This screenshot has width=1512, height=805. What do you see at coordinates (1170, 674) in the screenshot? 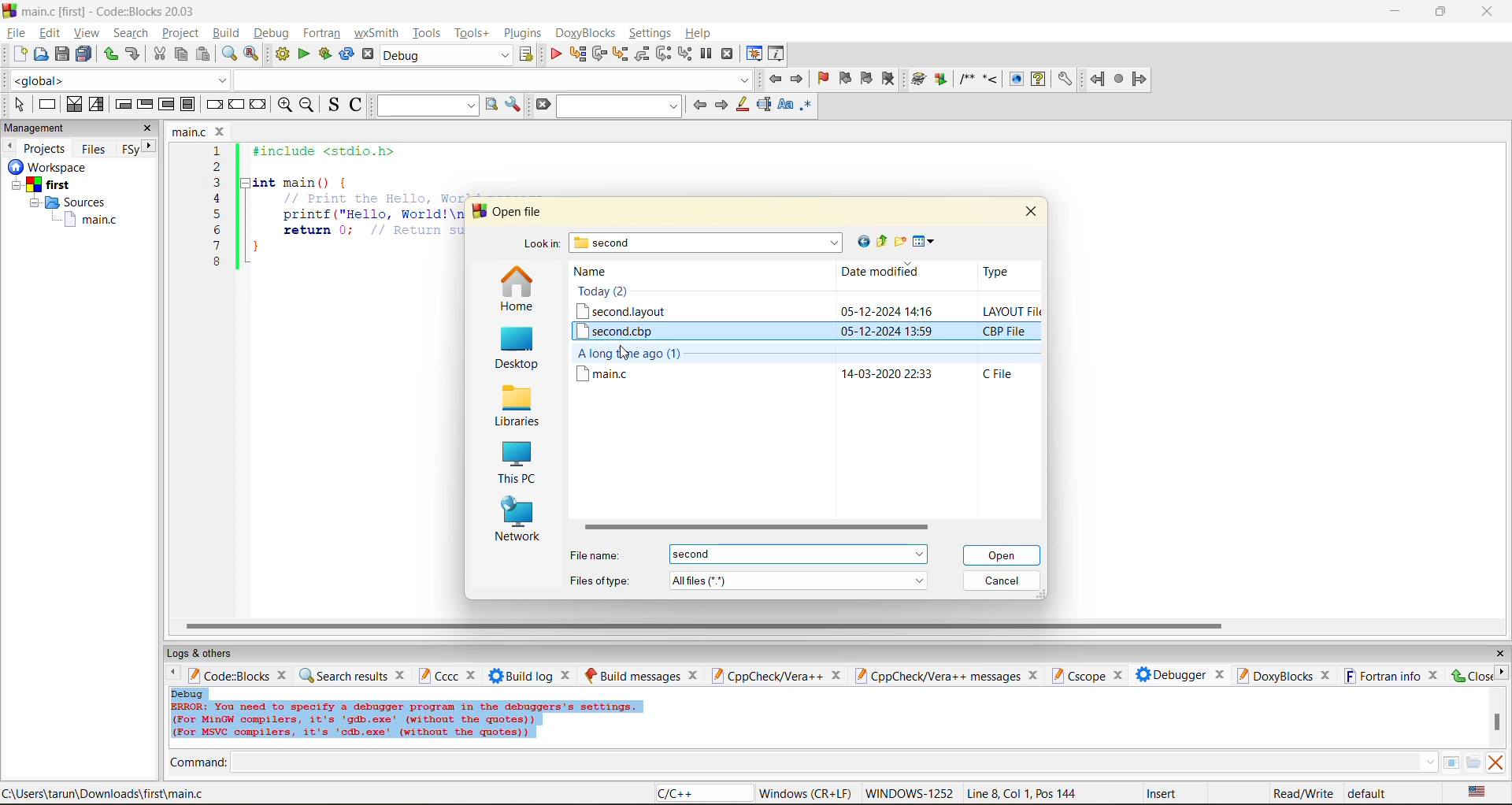
I see `debugger` at bounding box center [1170, 674].